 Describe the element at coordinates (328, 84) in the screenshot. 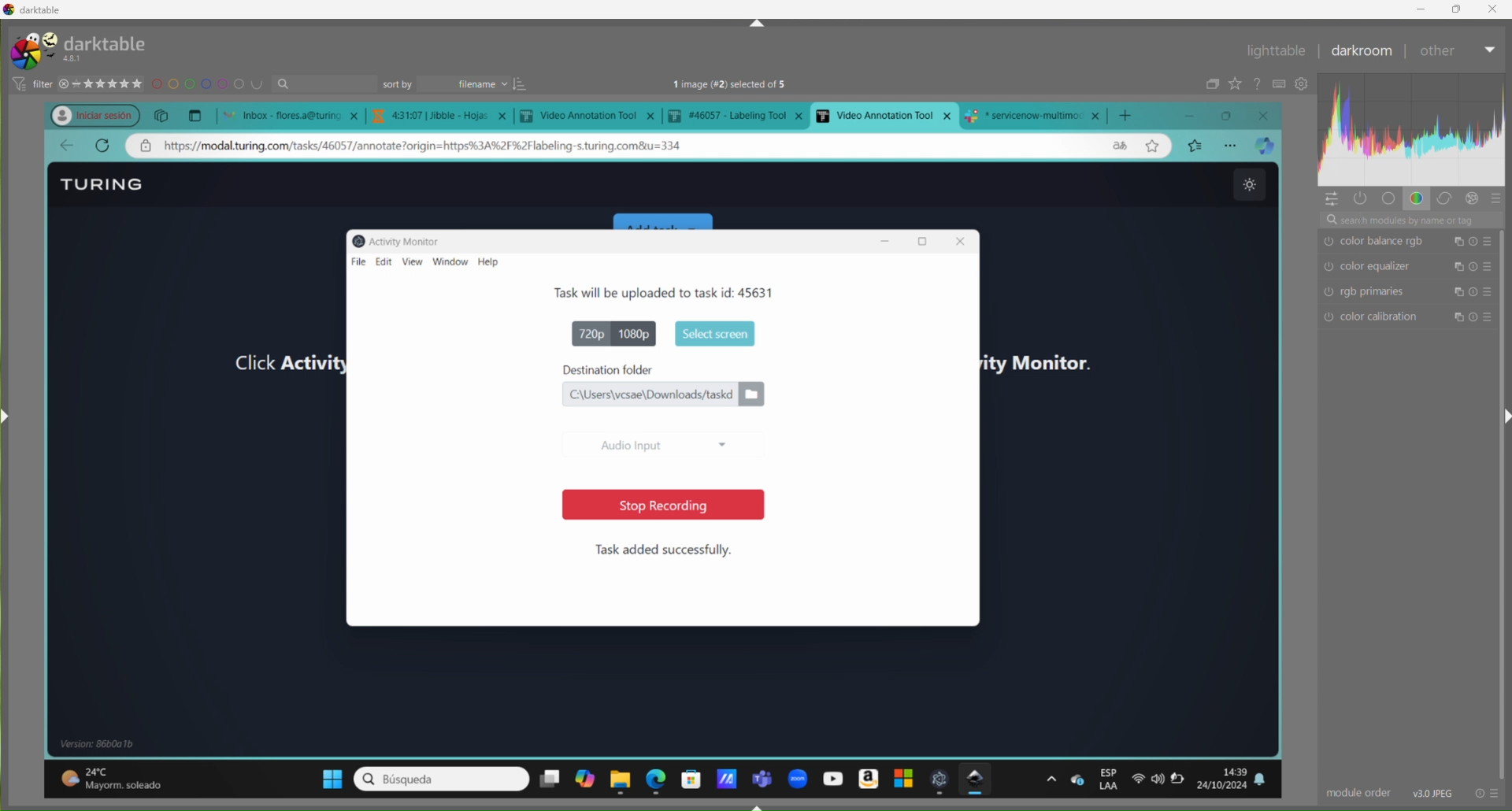

I see `search` at that location.